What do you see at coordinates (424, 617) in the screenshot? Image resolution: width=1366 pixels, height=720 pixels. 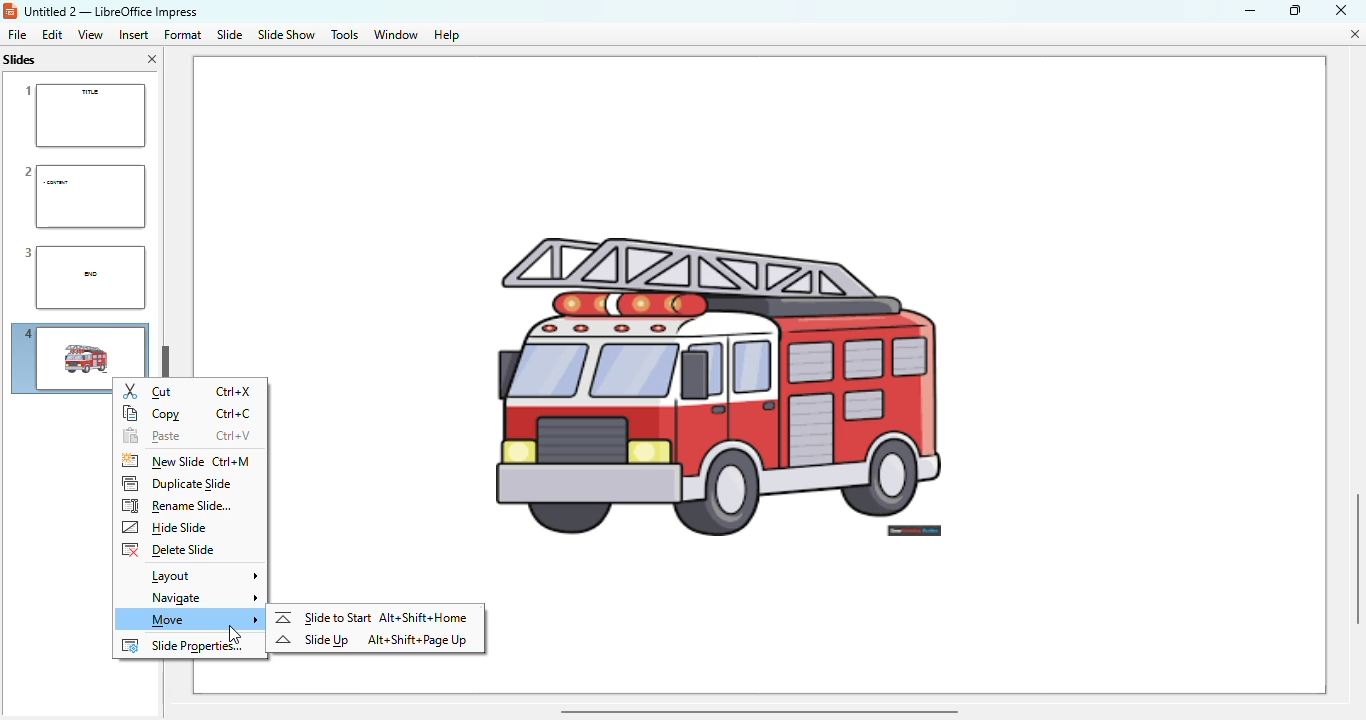 I see `shortcut for slide to start` at bounding box center [424, 617].